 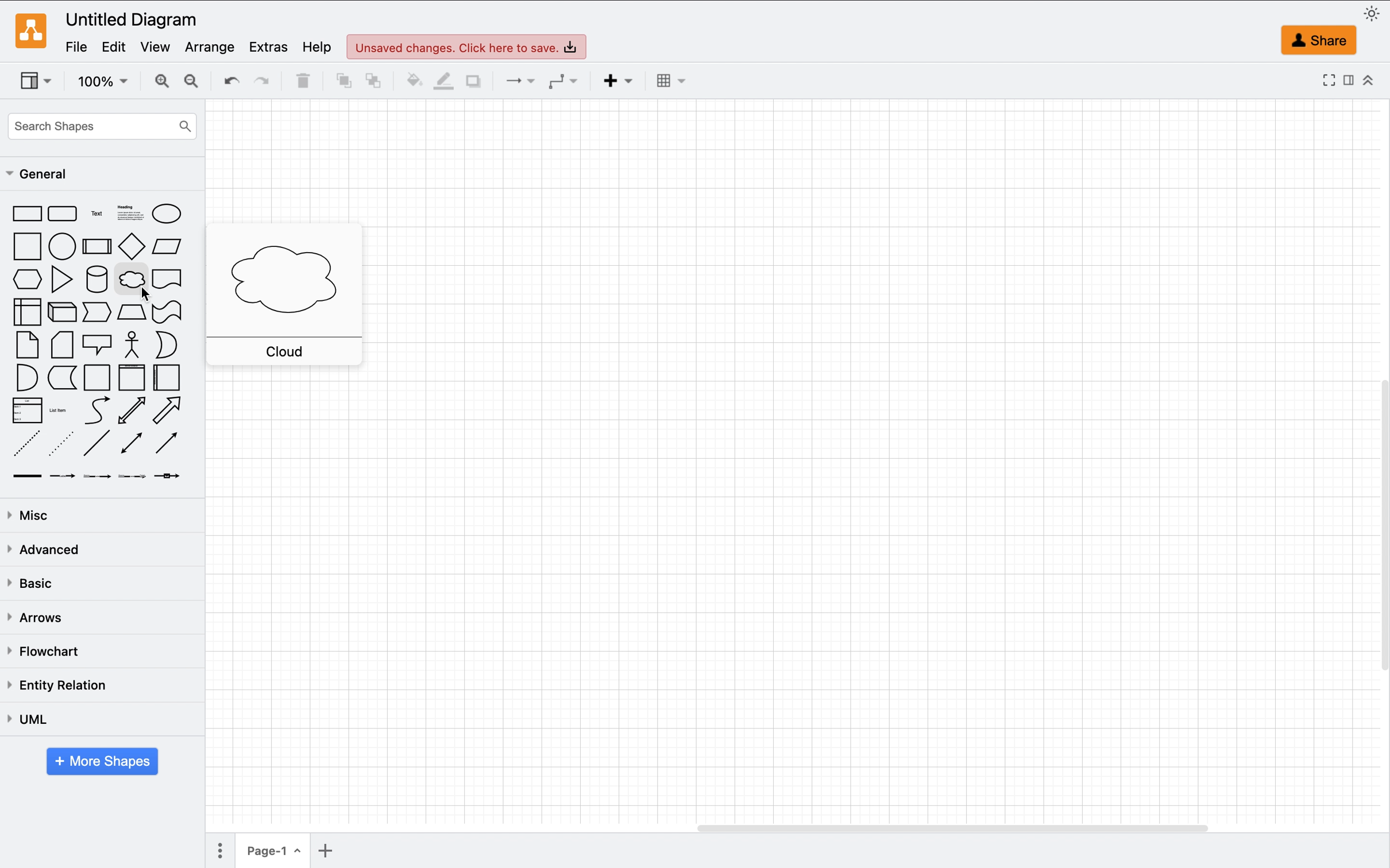 What do you see at coordinates (566, 81) in the screenshot?
I see `waypoints` at bounding box center [566, 81].